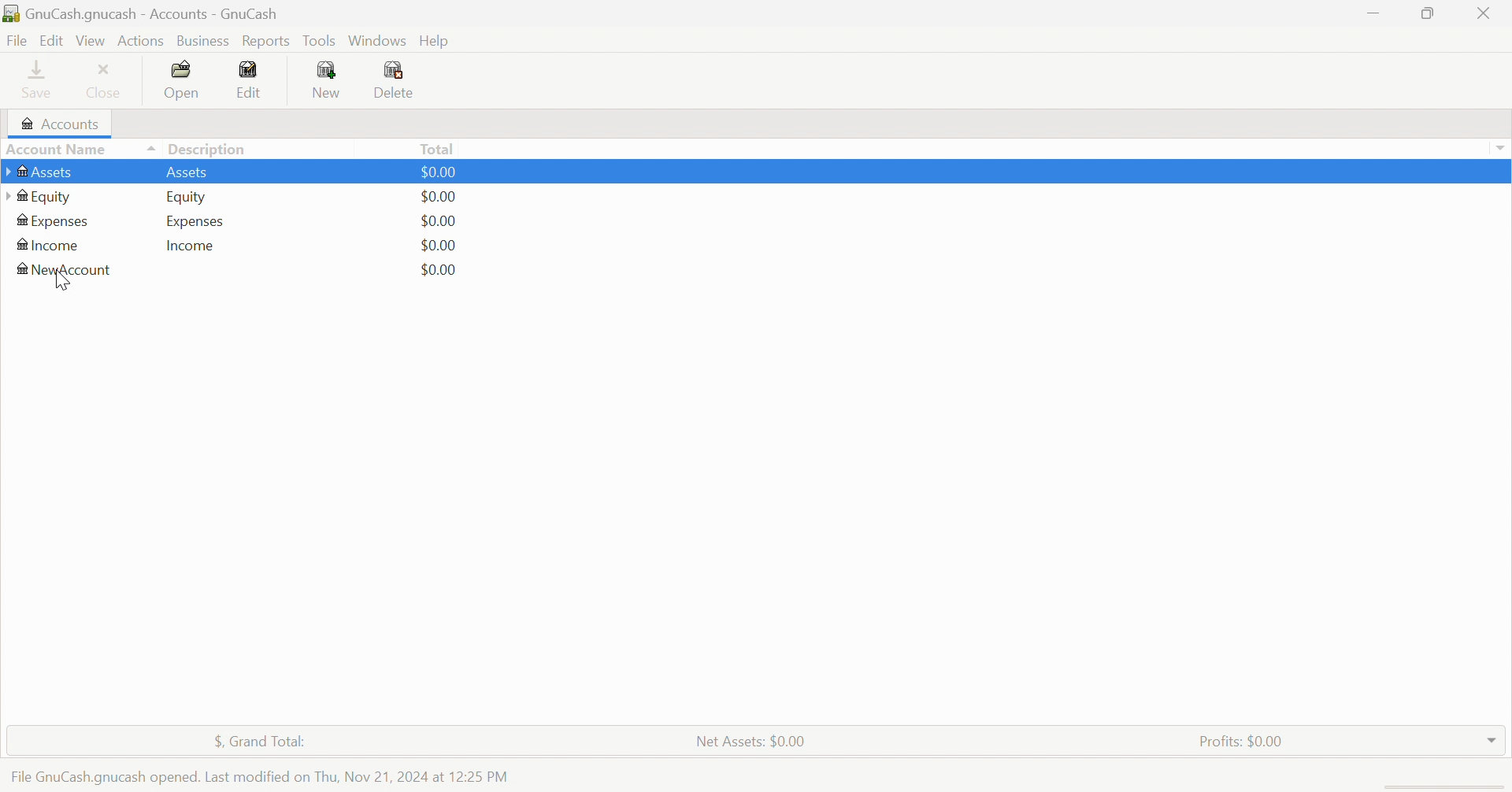 This screenshot has width=1512, height=792. Describe the element at coordinates (435, 246) in the screenshot. I see `$0.00` at that location.